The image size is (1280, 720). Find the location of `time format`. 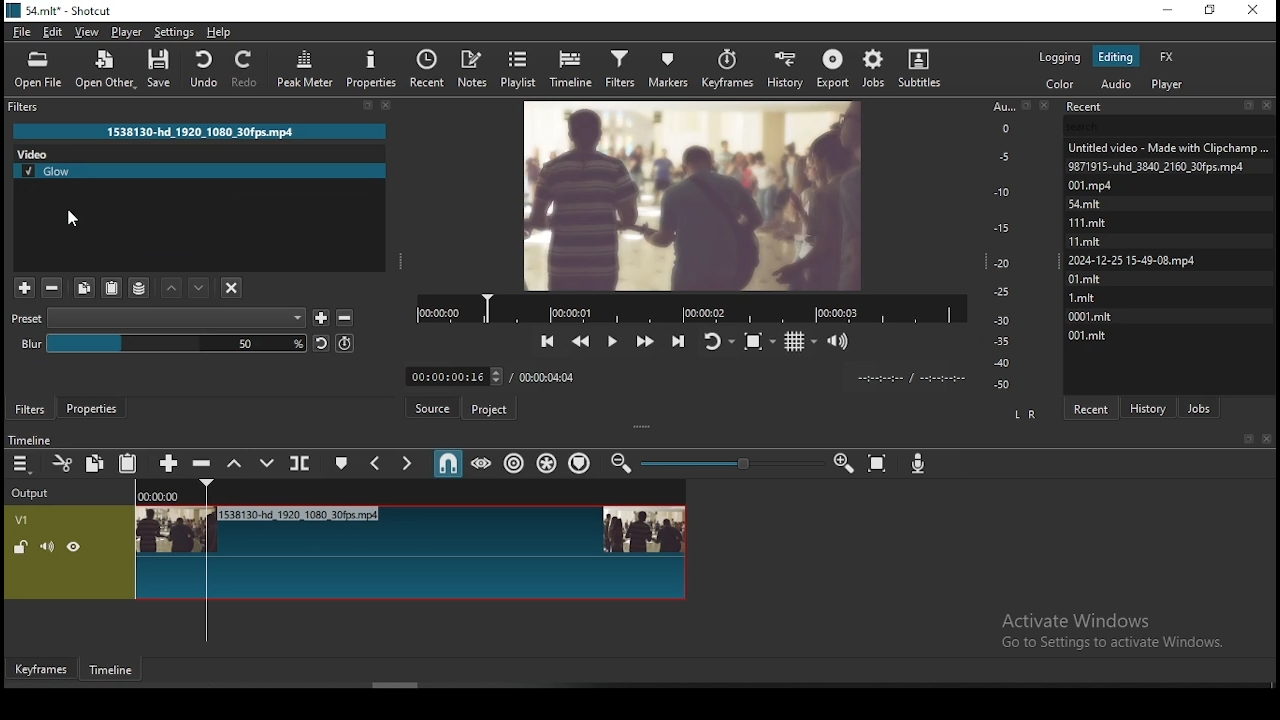

time format is located at coordinates (907, 376).